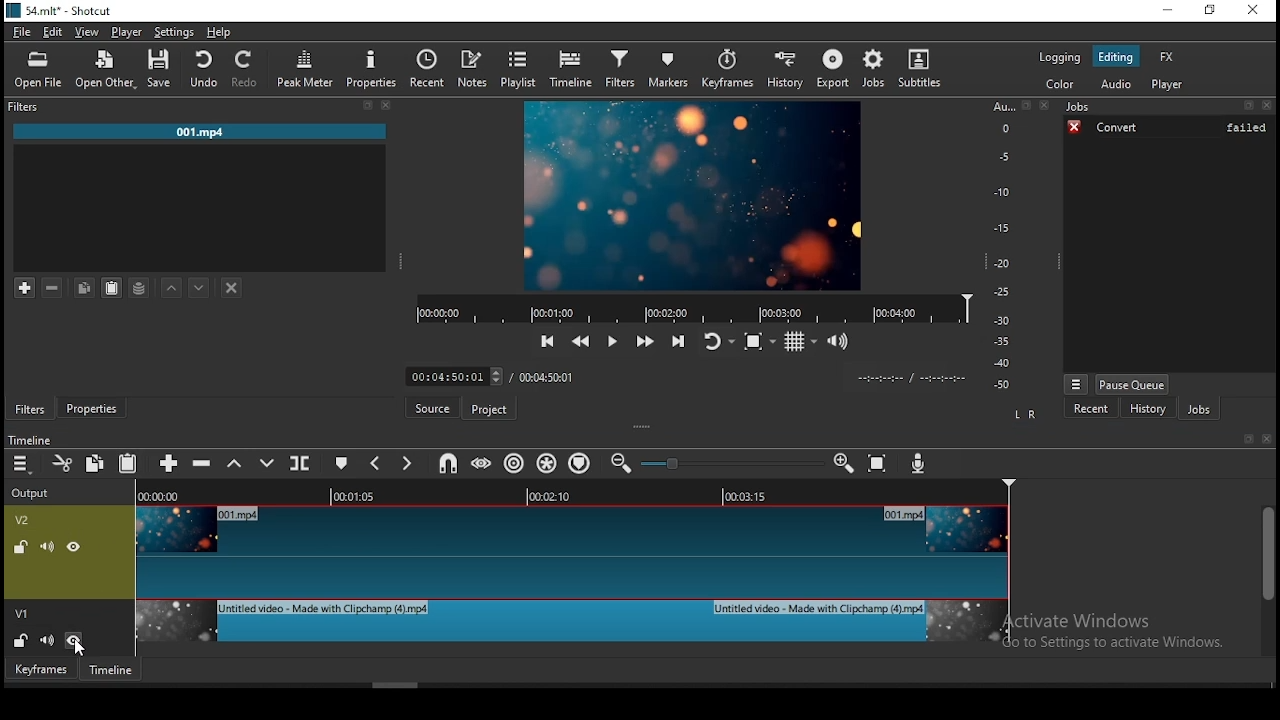 The height and width of the screenshot is (720, 1280). I want to click on edit time, so click(451, 377).